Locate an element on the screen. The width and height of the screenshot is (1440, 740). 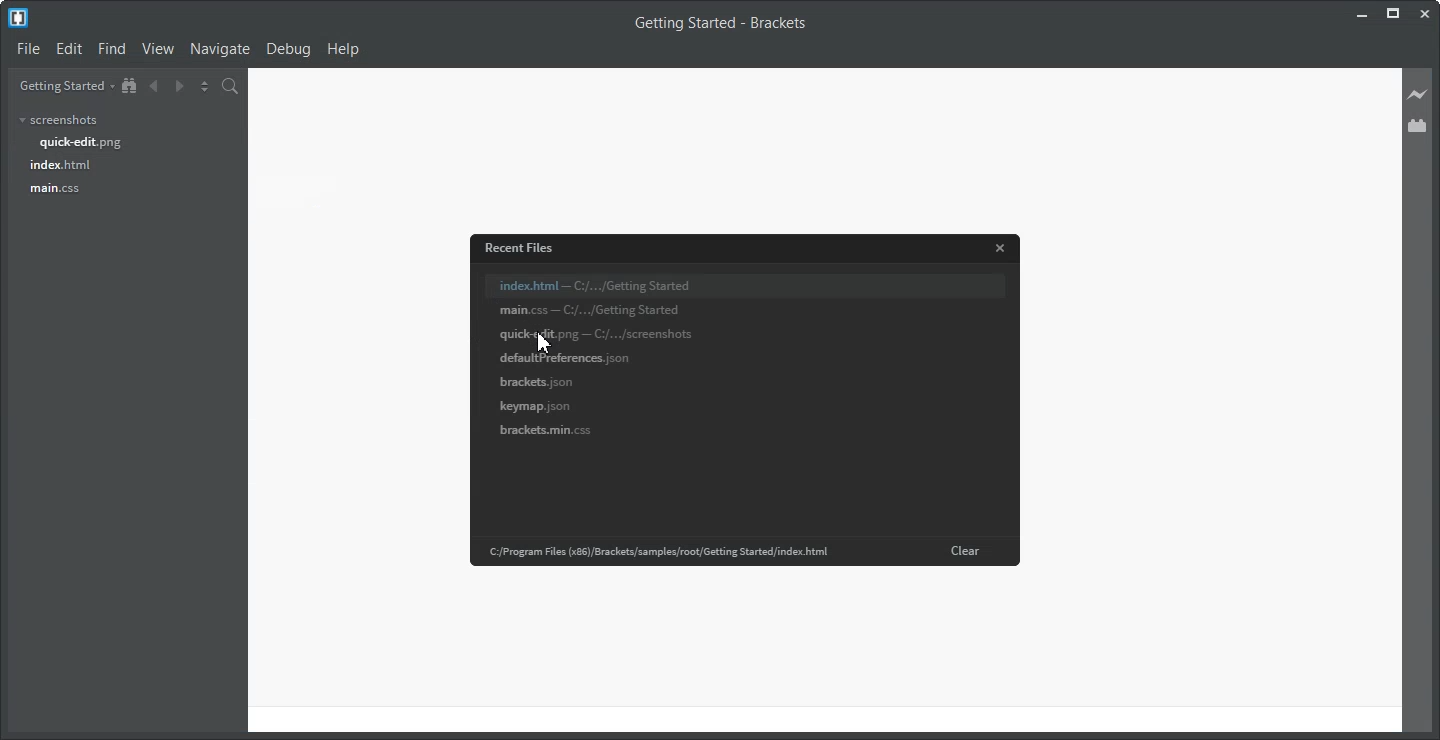
Program Files (x86) Brackets/samples/root/Getting Started/index html is located at coordinates (669, 549).